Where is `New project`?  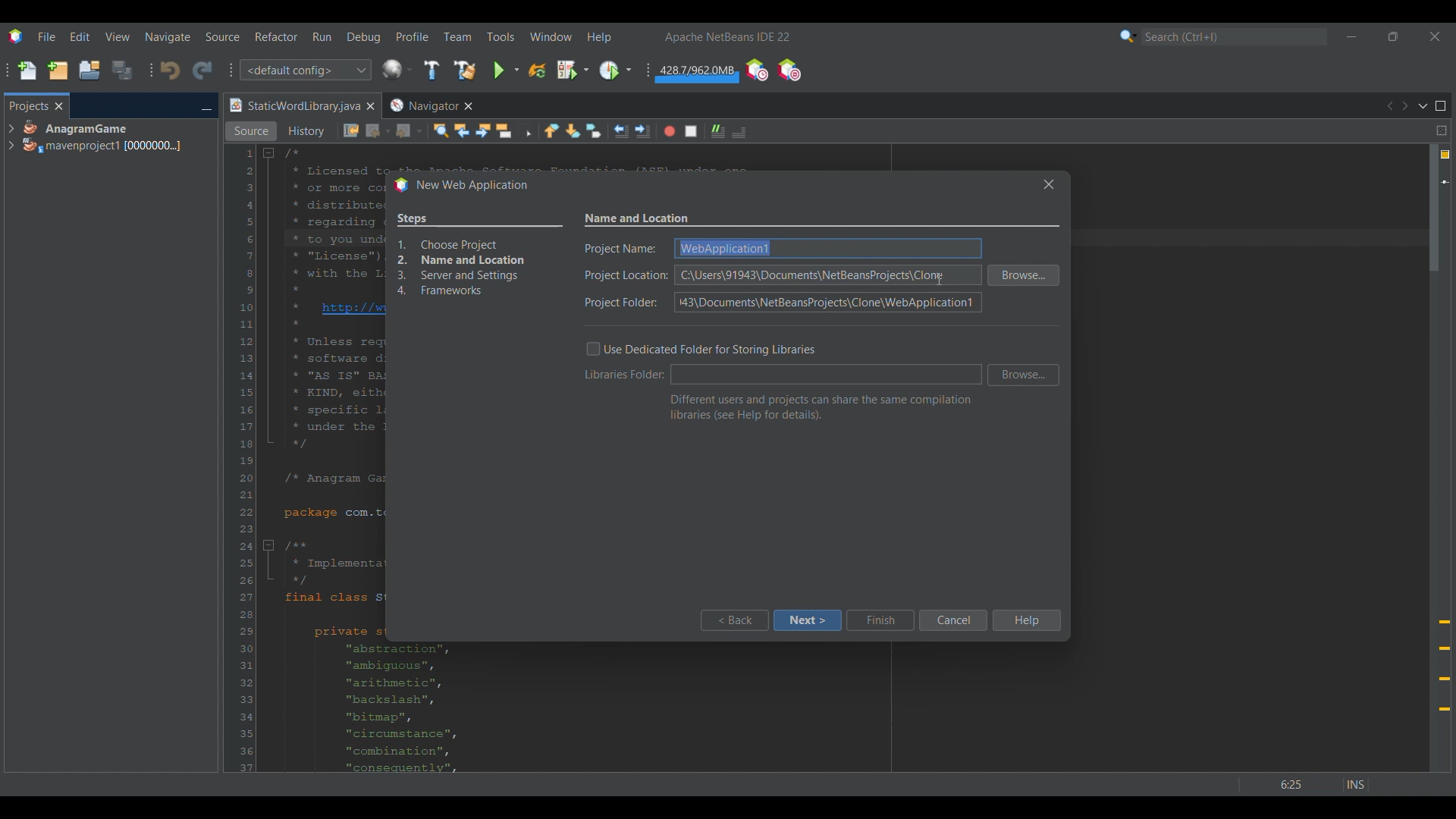
New project is located at coordinates (58, 70).